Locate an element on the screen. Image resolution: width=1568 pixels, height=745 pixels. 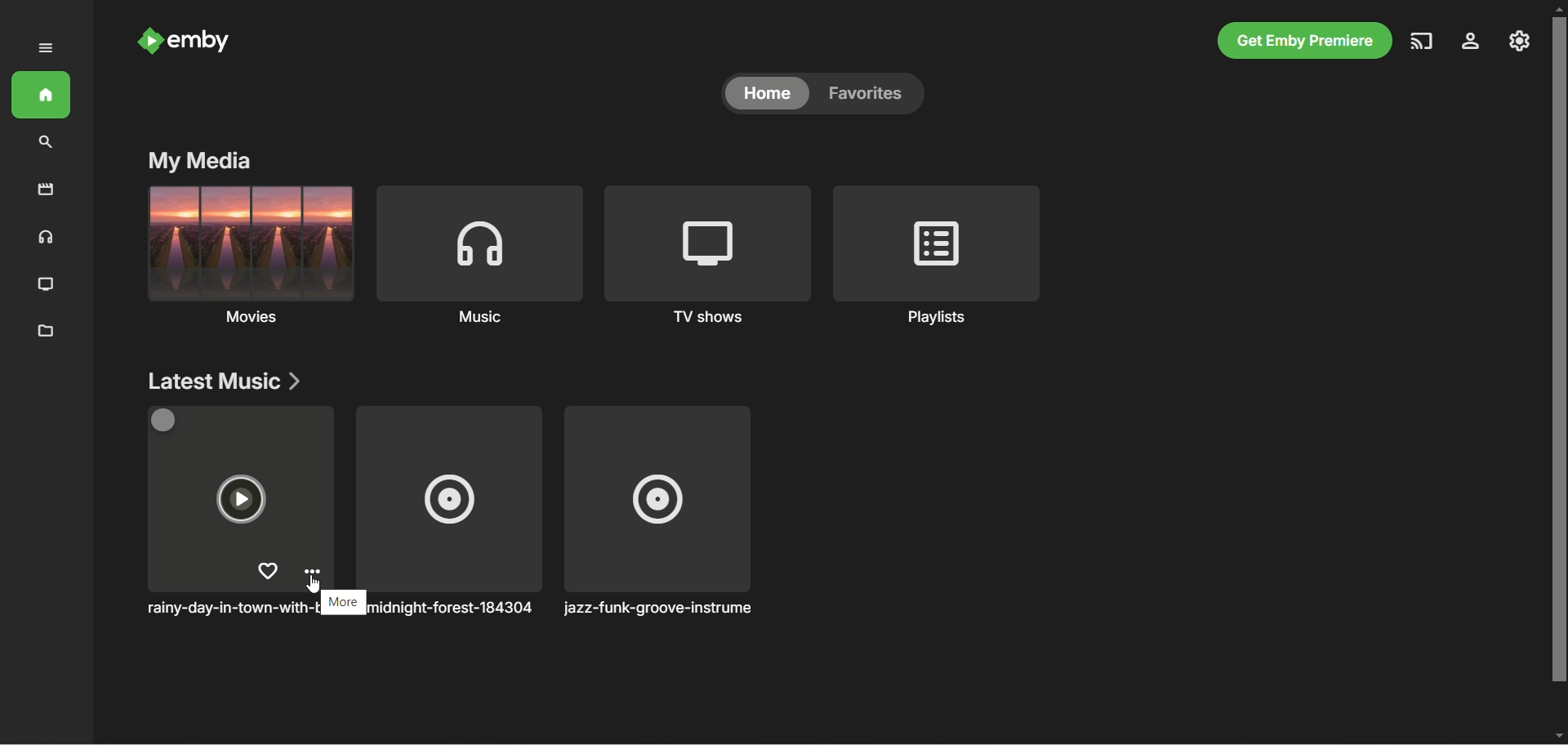
music is located at coordinates (46, 239).